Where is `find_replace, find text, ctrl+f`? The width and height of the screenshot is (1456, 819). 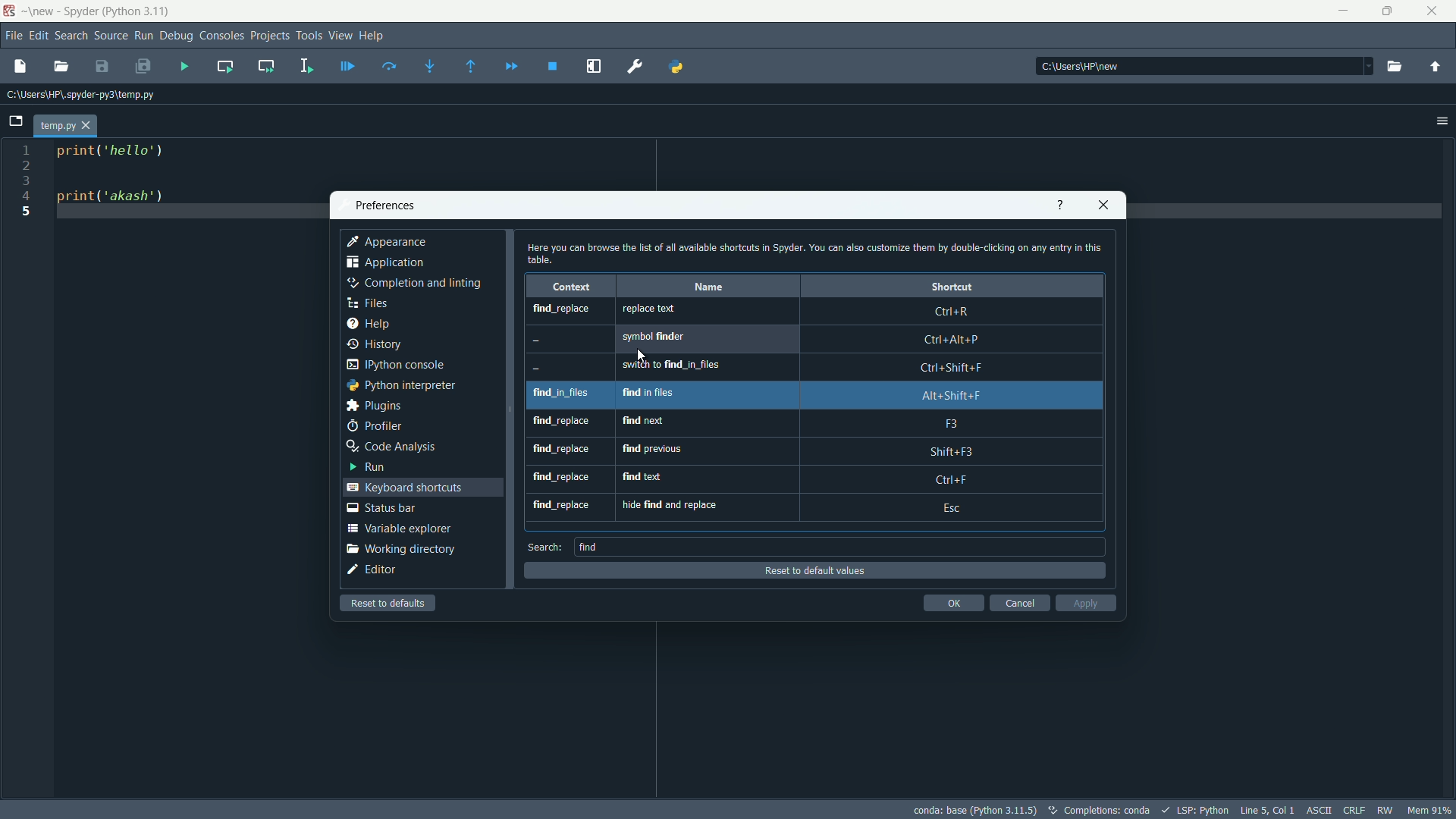 find_replace, find text, ctrl+f is located at coordinates (817, 479).